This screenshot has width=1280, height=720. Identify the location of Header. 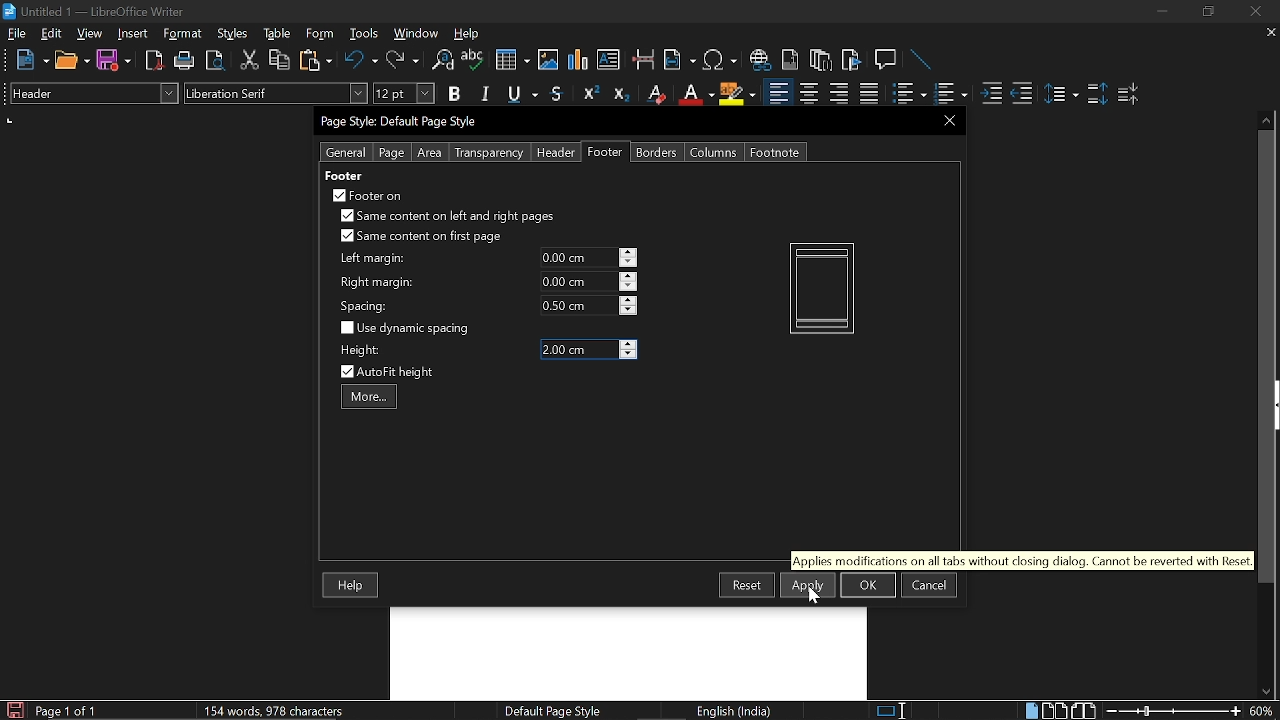
(552, 153).